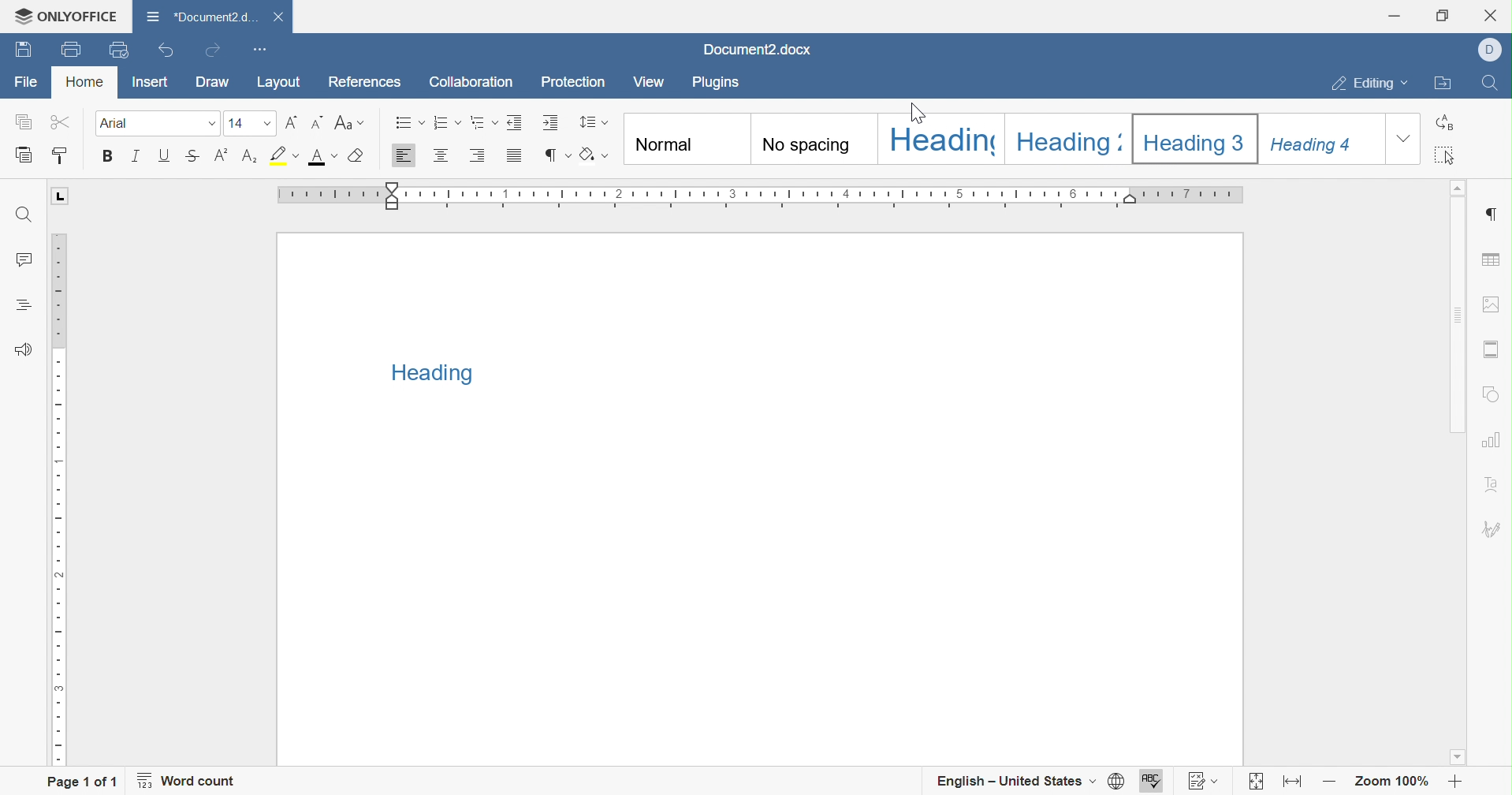  What do you see at coordinates (250, 159) in the screenshot?
I see `Subscript` at bounding box center [250, 159].